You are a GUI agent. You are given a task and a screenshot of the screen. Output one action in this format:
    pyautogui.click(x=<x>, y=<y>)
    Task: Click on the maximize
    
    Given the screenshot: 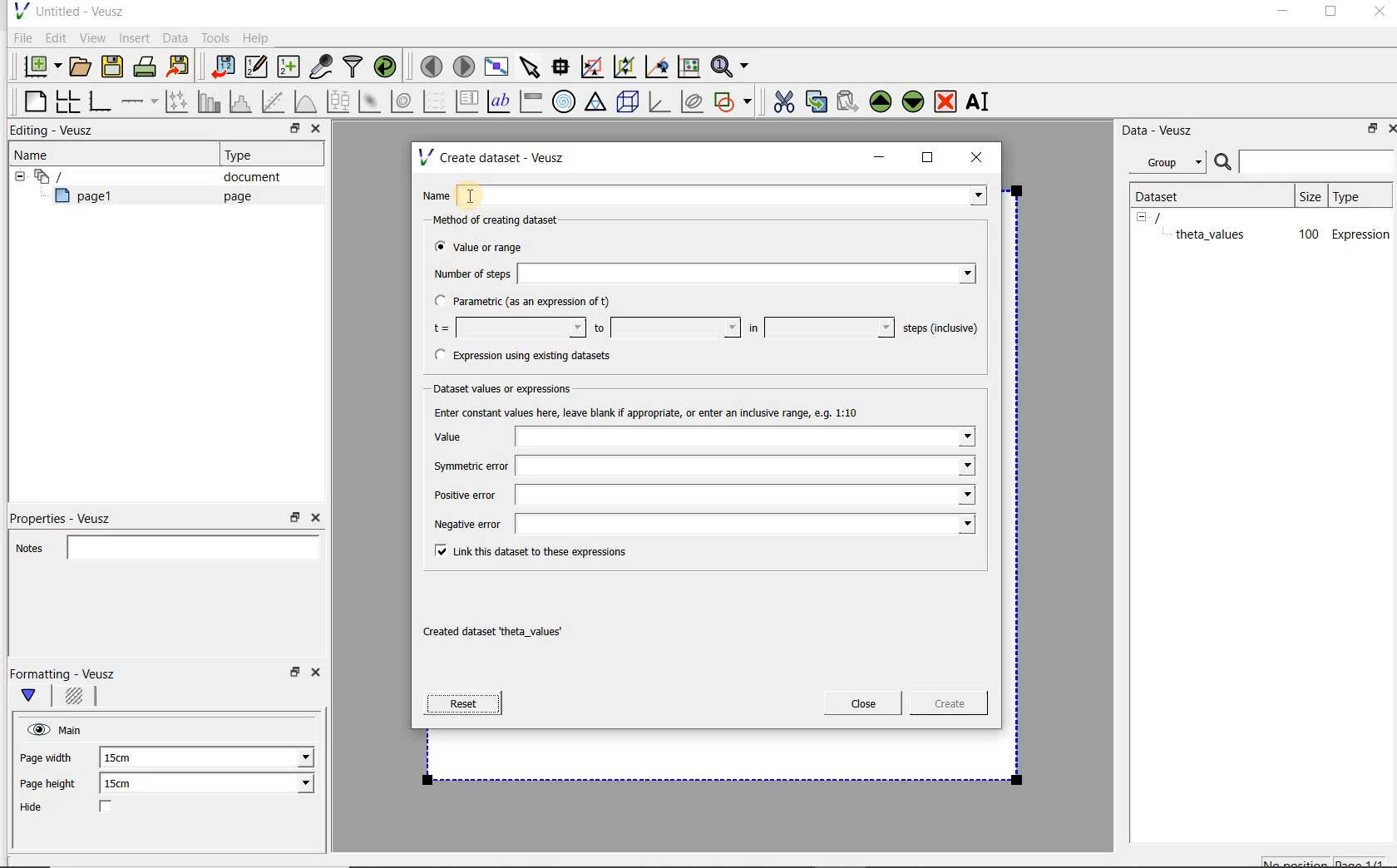 What is the action you would take?
    pyautogui.click(x=1331, y=14)
    